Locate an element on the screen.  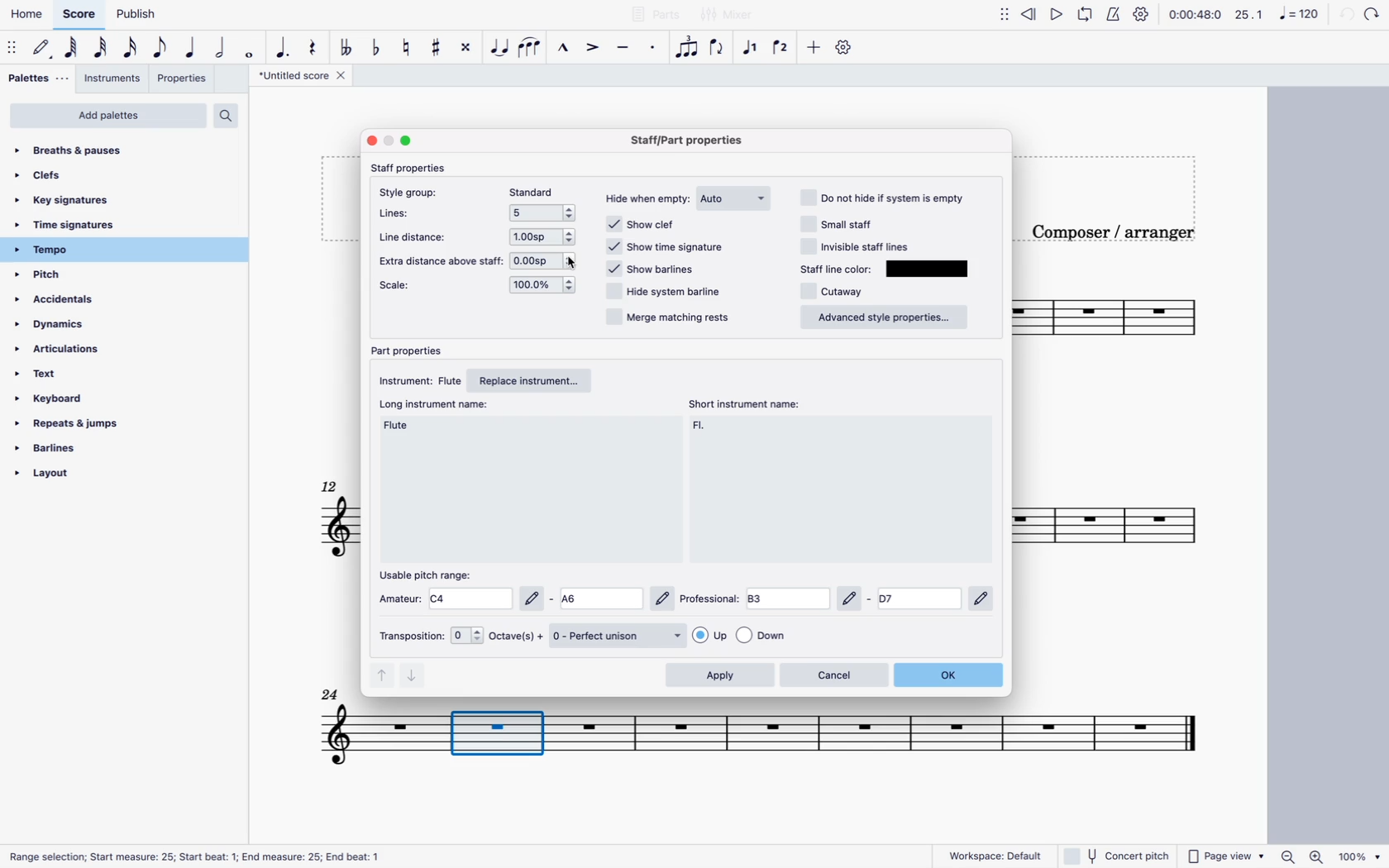
options is located at coordinates (753, 635).